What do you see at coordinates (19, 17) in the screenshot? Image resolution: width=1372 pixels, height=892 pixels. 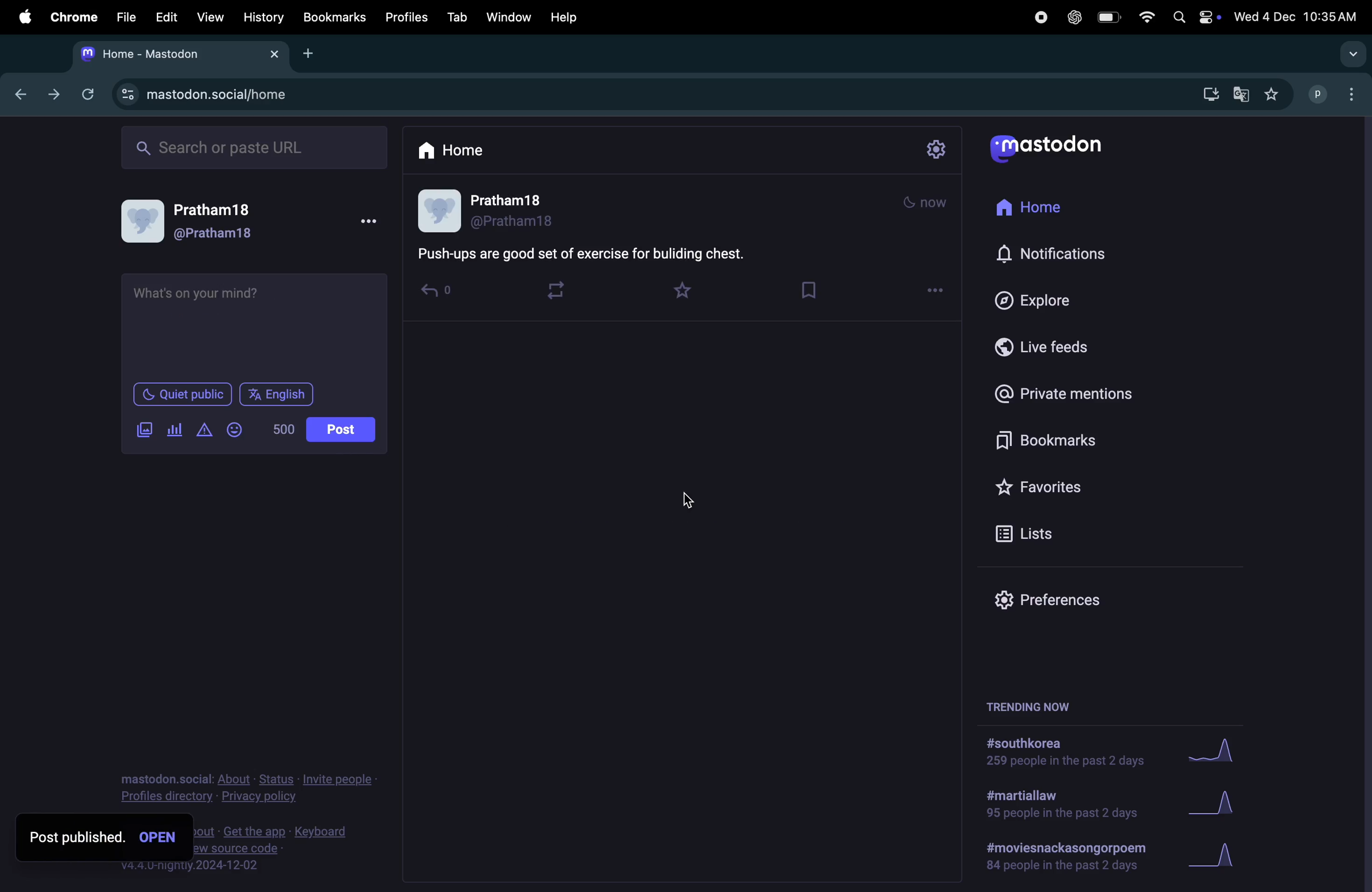 I see `apple menu` at bounding box center [19, 17].